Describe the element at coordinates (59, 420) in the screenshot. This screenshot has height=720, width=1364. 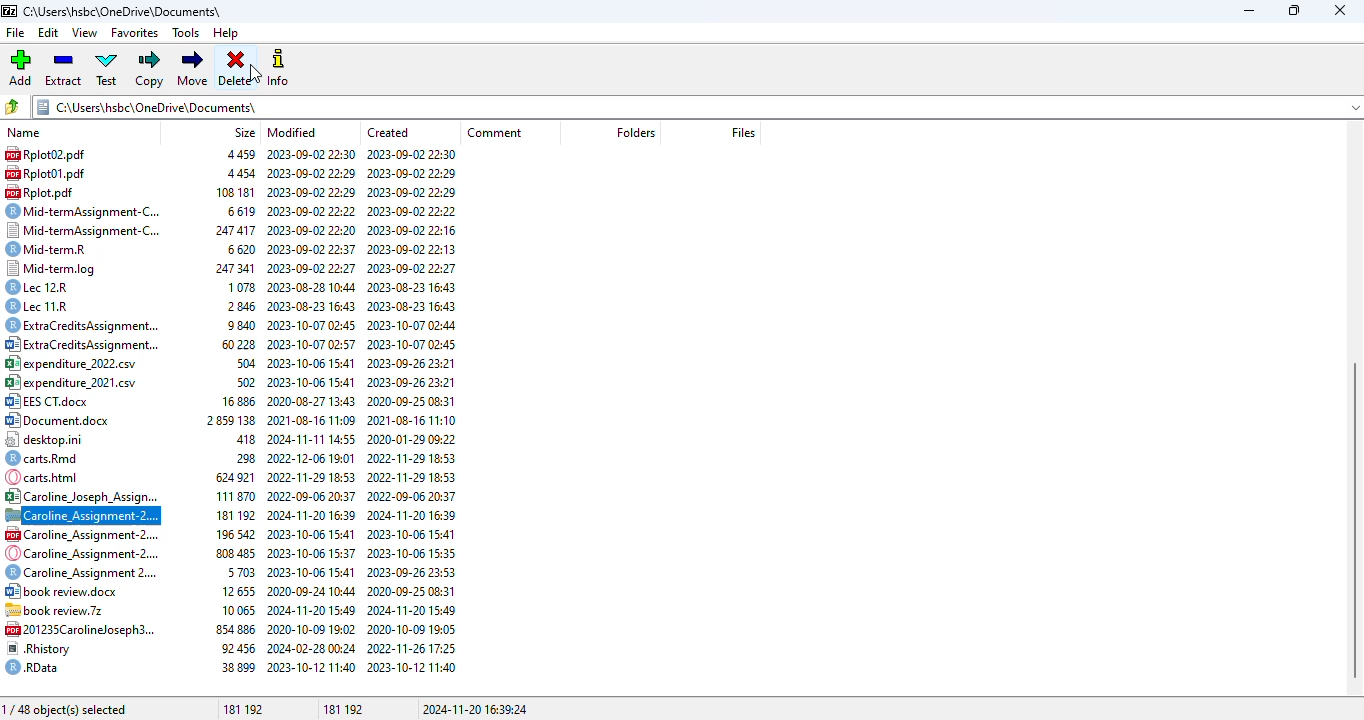
I see `document.docx` at that location.